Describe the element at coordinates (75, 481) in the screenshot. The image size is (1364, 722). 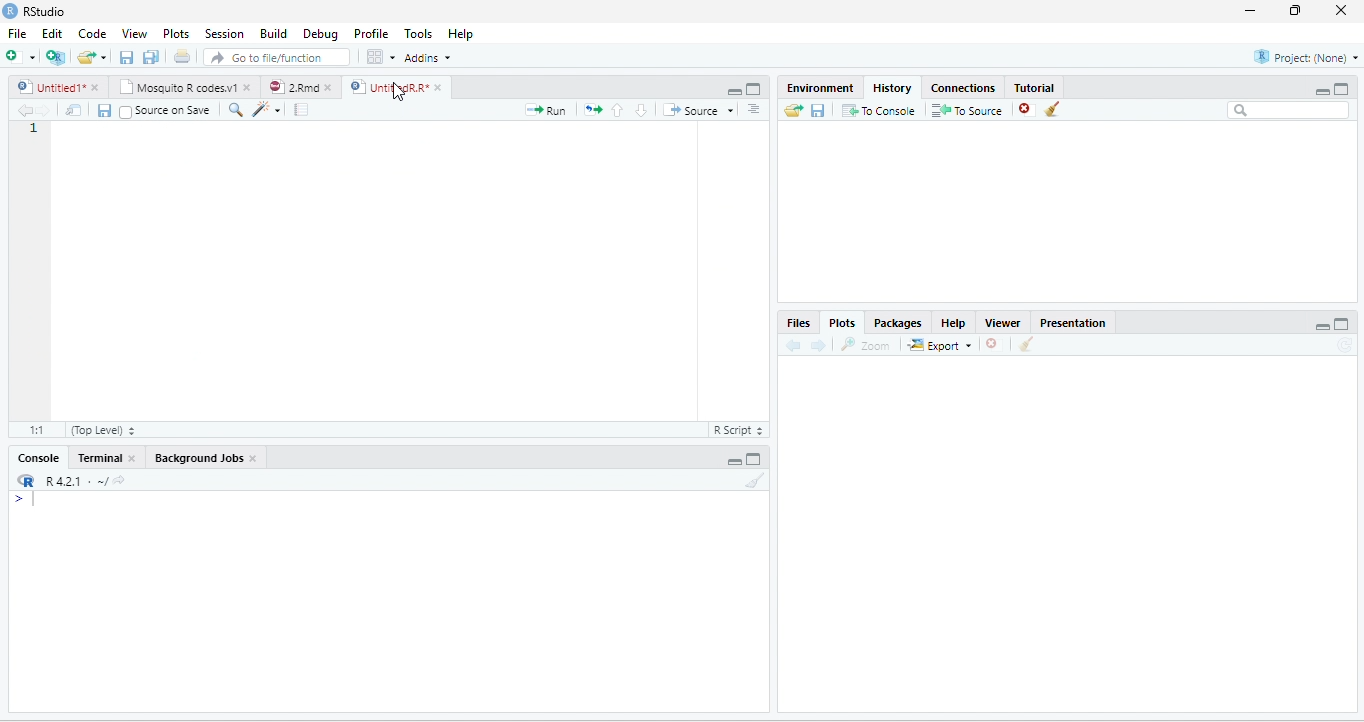
I see `R 4.2.1 . ~/` at that location.